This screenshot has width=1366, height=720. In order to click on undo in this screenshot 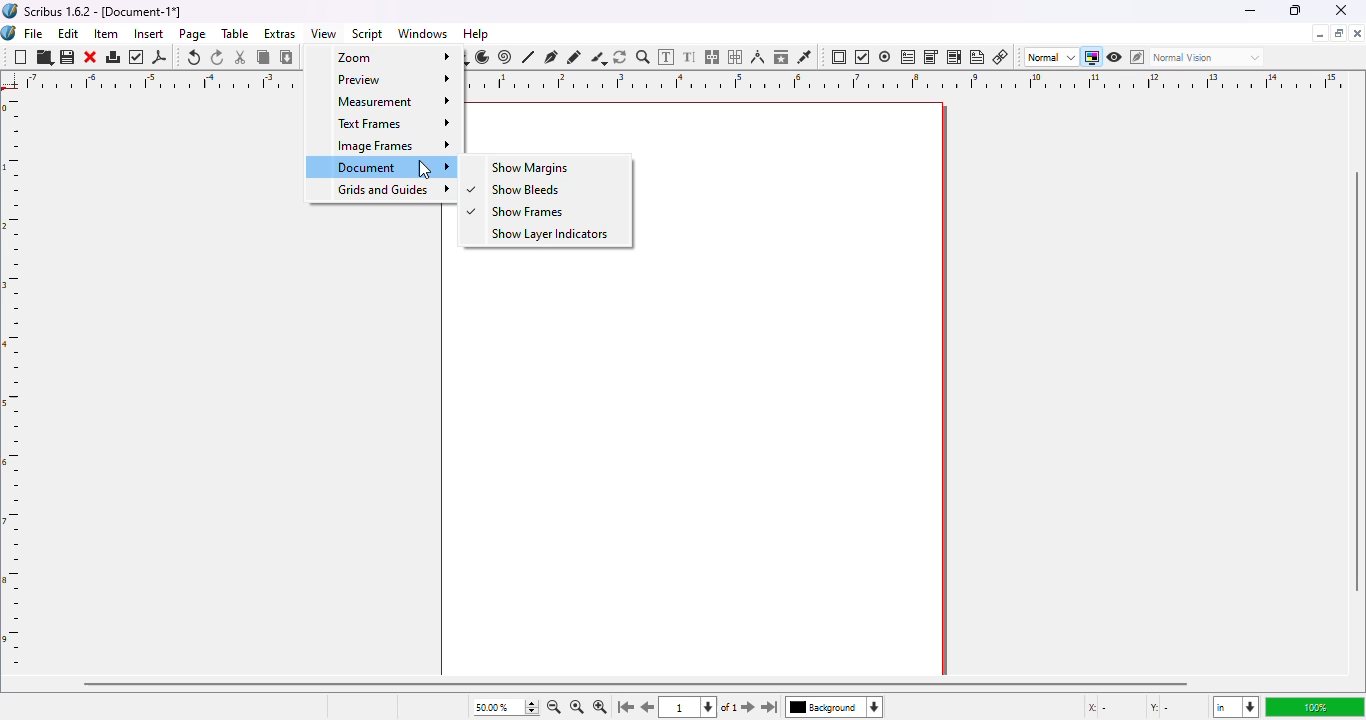, I will do `click(194, 57)`.